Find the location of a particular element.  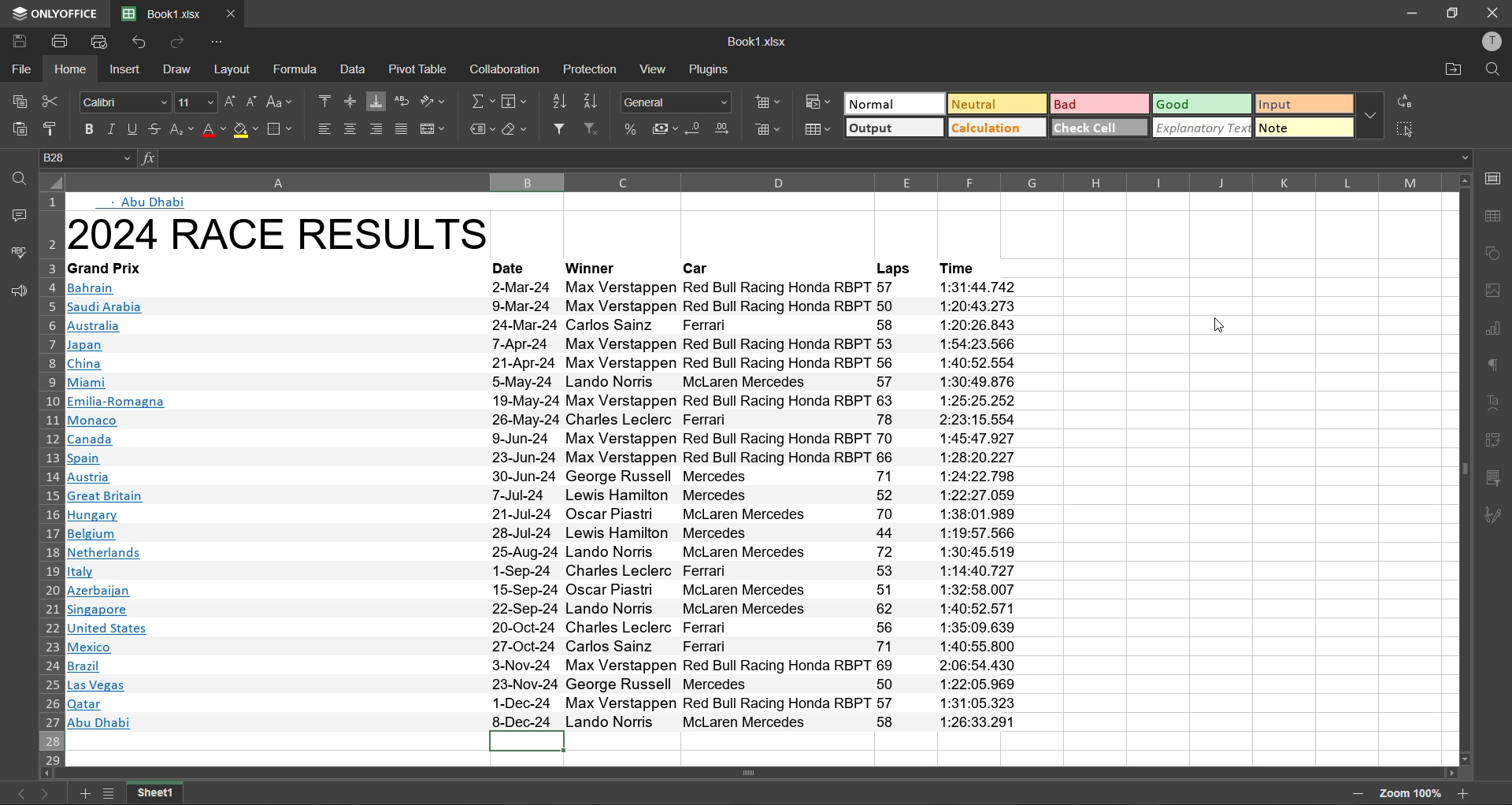

call settings is located at coordinates (1496, 177).